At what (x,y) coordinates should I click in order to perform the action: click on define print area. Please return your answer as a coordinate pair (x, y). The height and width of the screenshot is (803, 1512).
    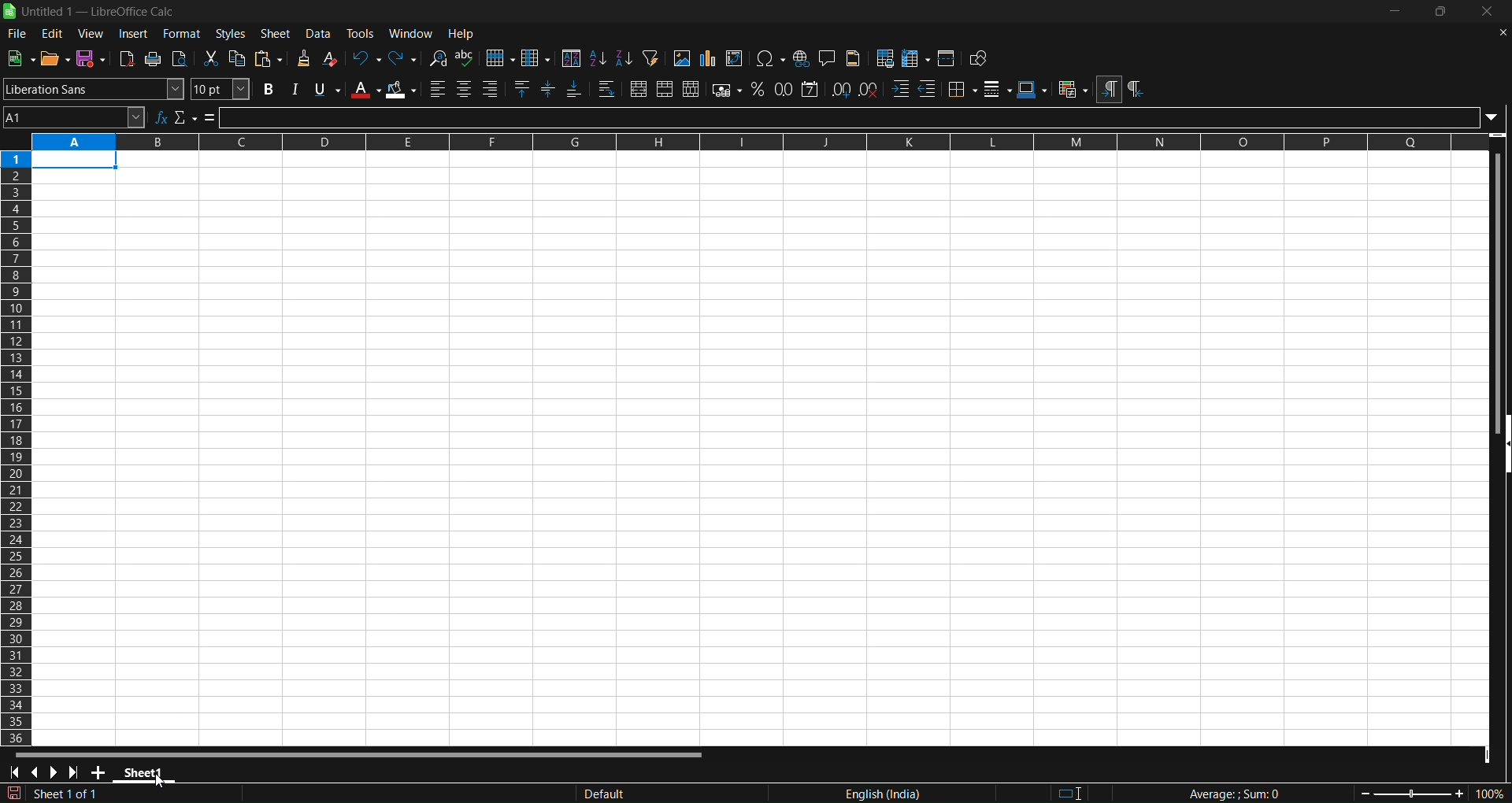
    Looking at the image, I should click on (886, 58).